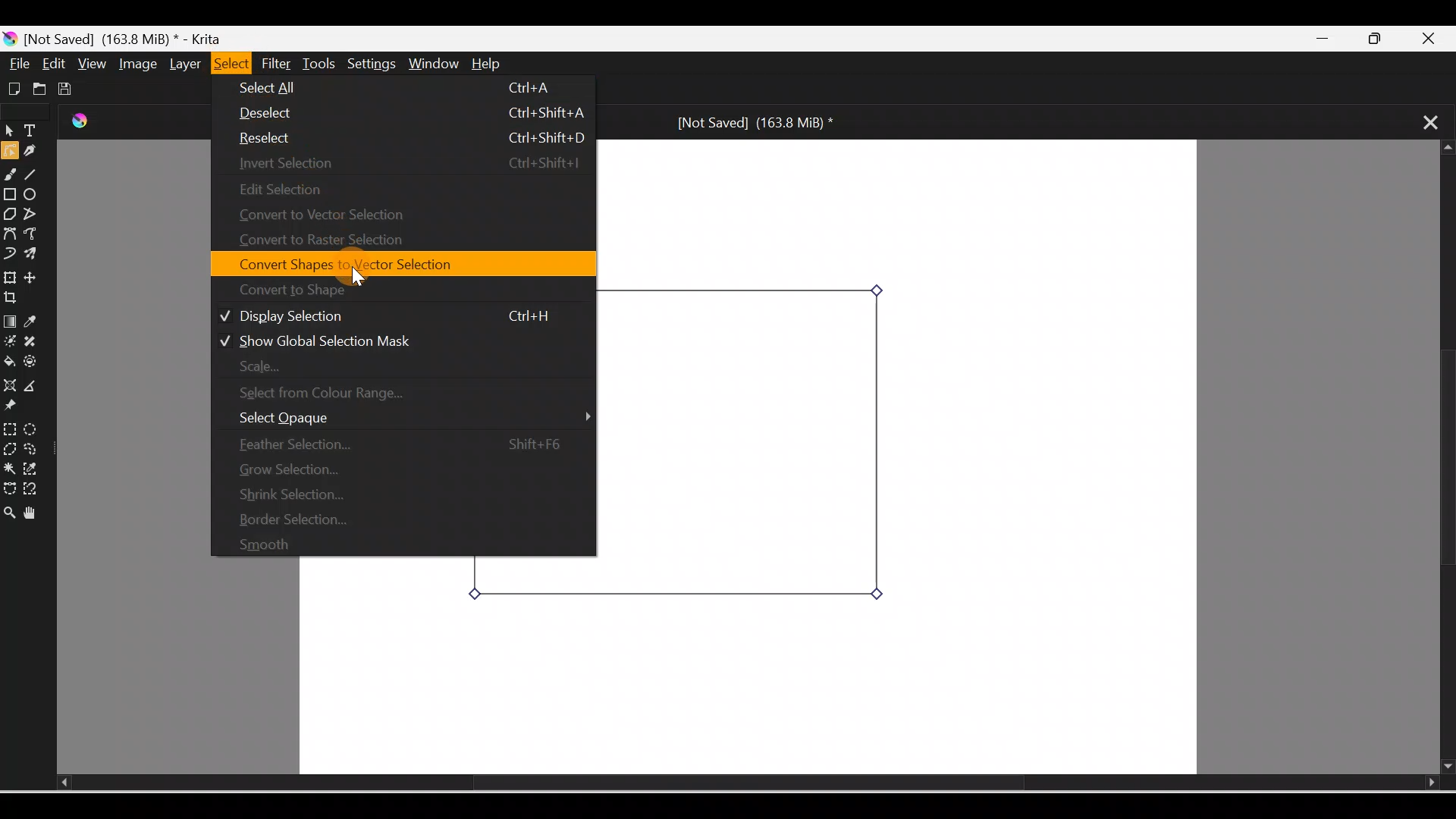 The height and width of the screenshot is (819, 1456). What do you see at coordinates (10, 362) in the screenshot?
I see `Fill a contiguous area of color with color` at bounding box center [10, 362].